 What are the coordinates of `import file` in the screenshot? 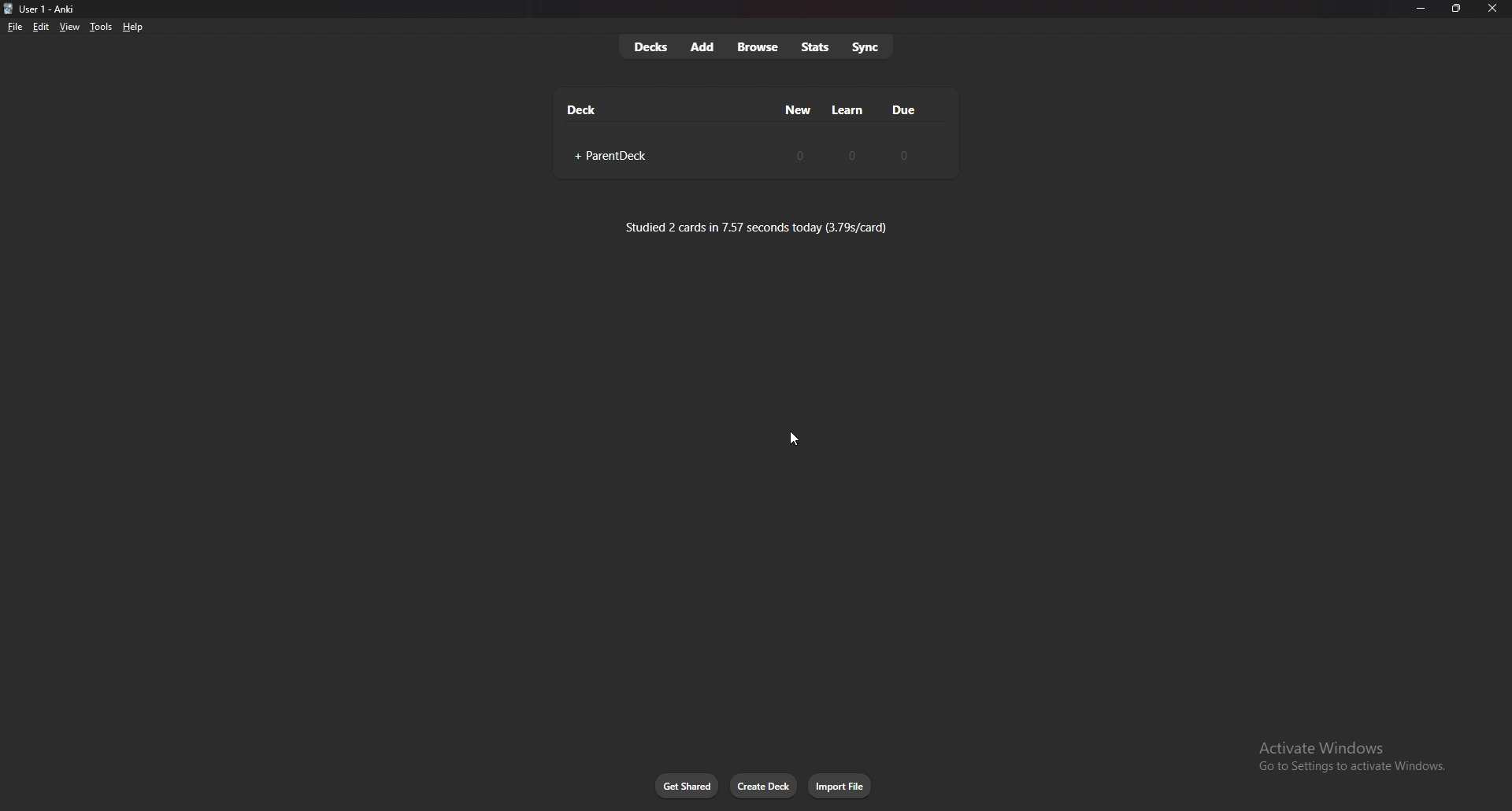 It's located at (841, 786).